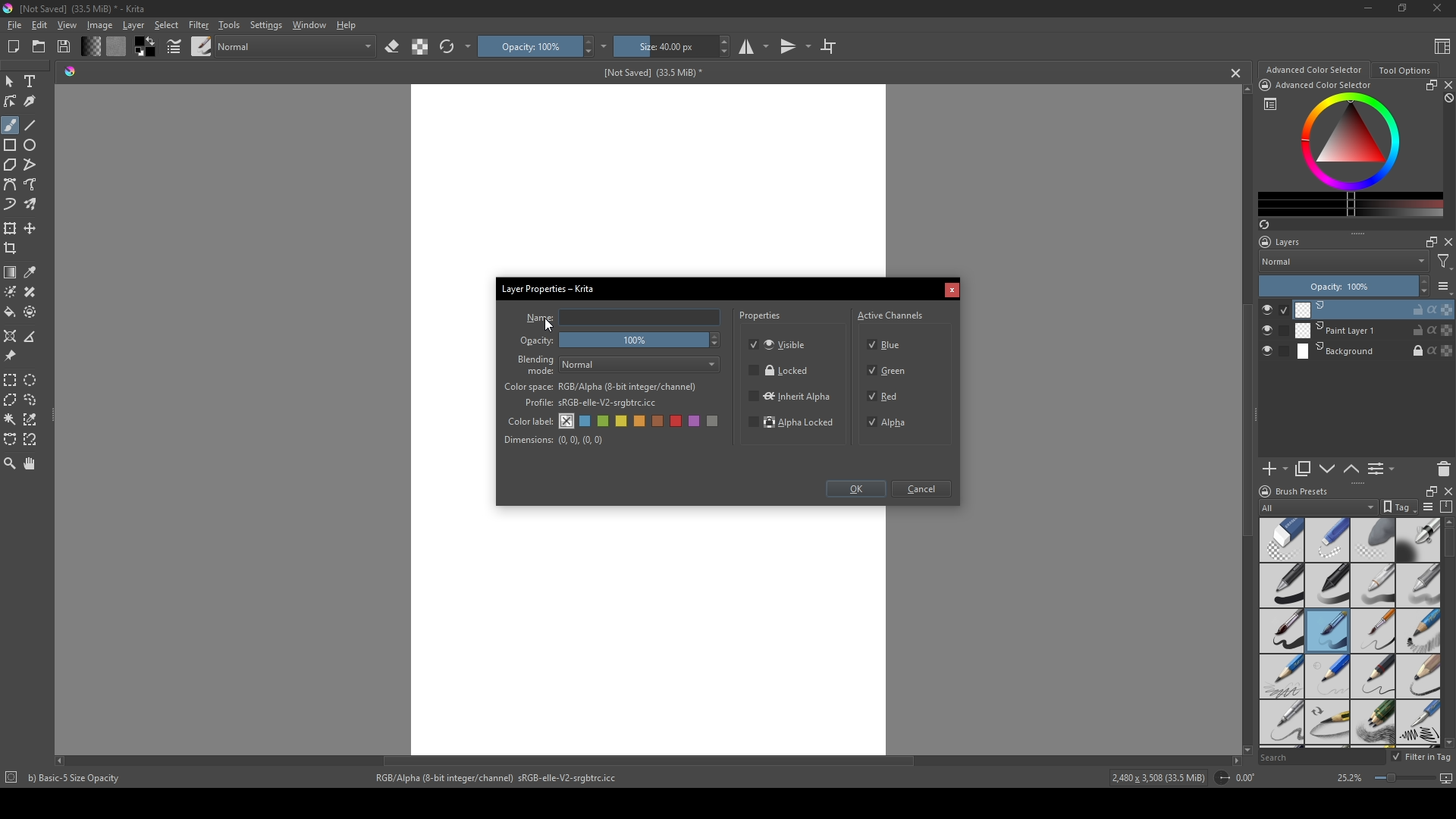 This screenshot has height=819, width=1456. What do you see at coordinates (1335, 287) in the screenshot?
I see `Opacity: 100%` at bounding box center [1335, 287].